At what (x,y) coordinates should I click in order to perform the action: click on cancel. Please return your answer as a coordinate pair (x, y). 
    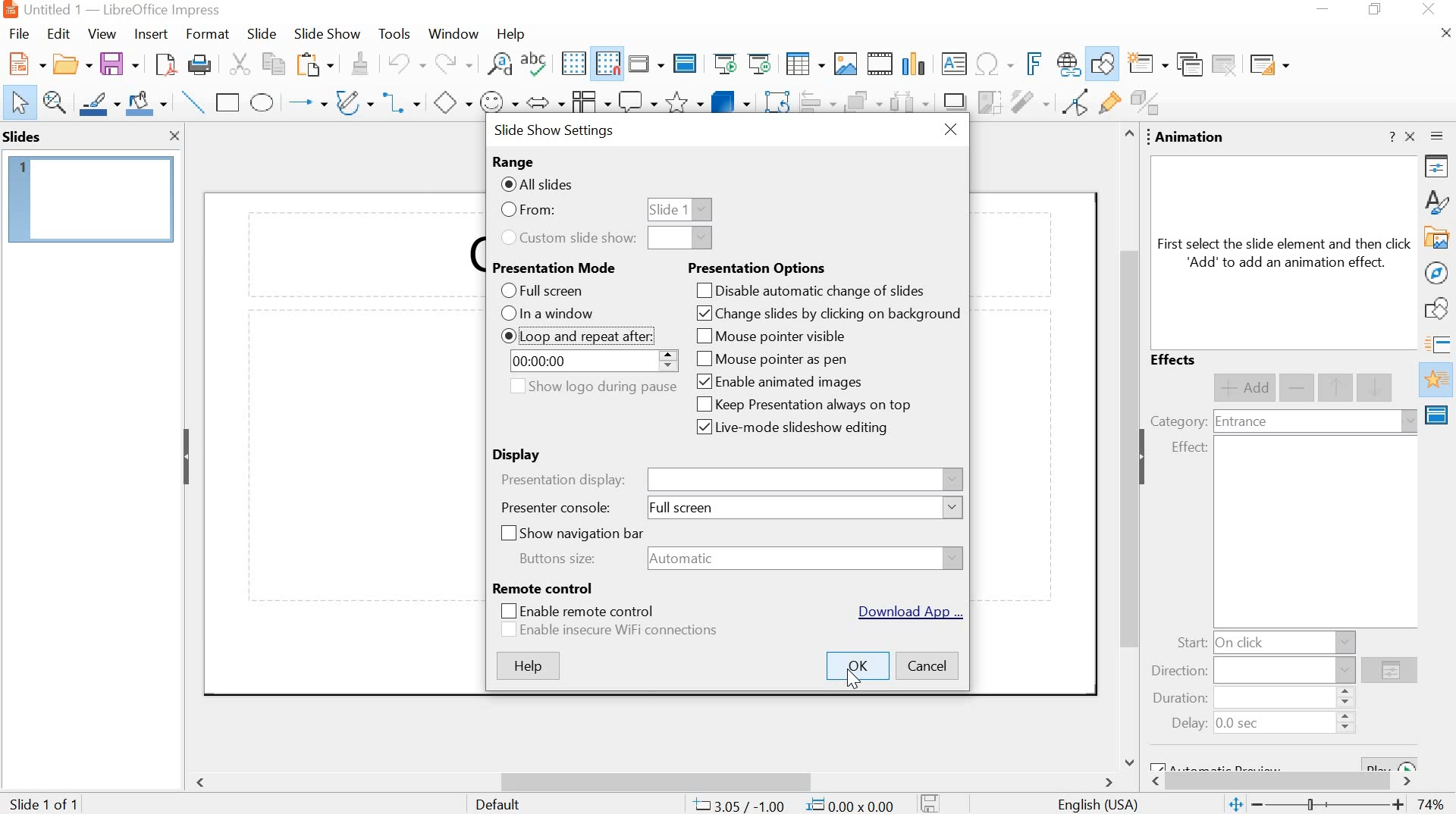
    Looking at the image, I should click on (927, 668).